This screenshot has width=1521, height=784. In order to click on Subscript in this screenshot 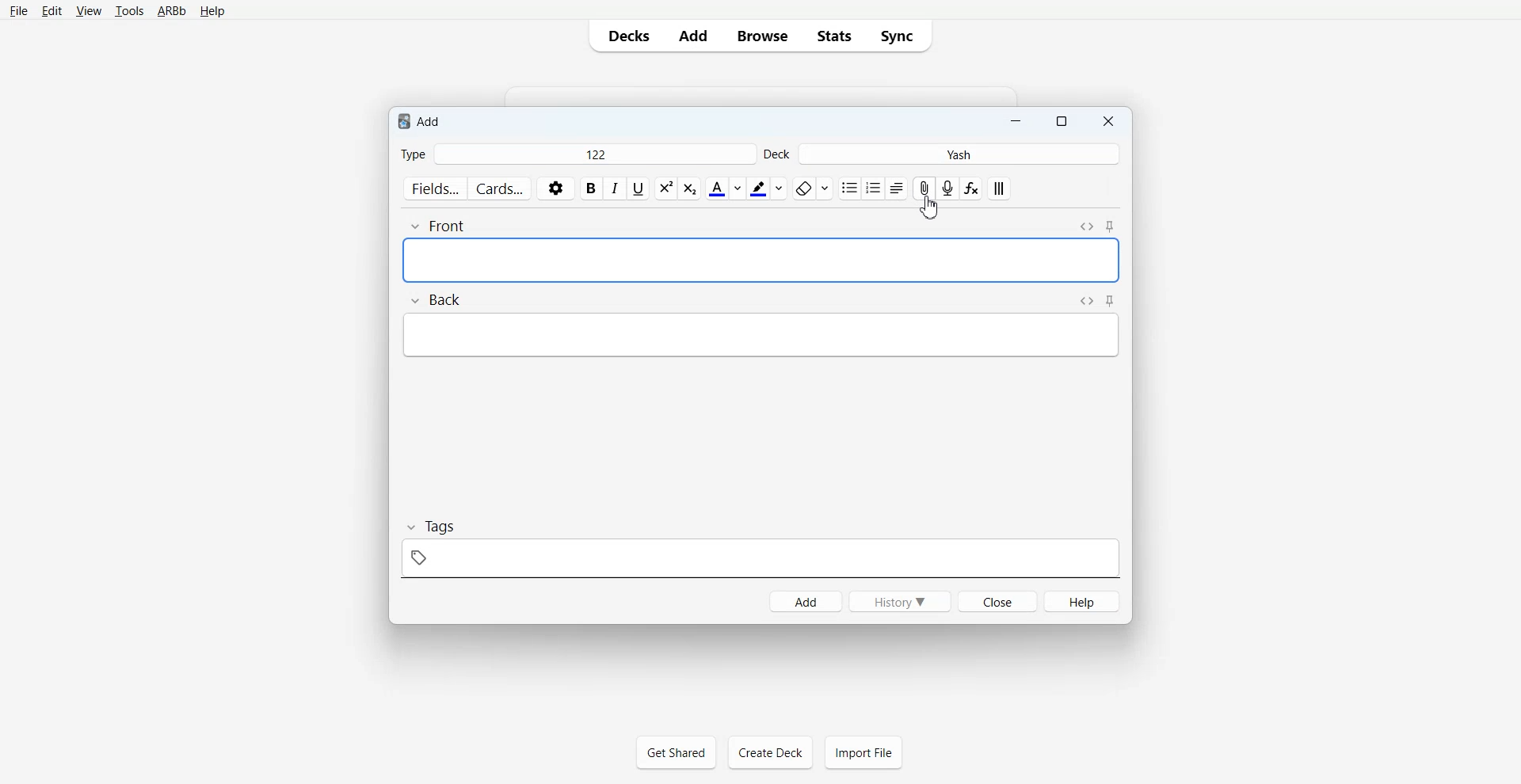, I will do `click(666, 188)`.